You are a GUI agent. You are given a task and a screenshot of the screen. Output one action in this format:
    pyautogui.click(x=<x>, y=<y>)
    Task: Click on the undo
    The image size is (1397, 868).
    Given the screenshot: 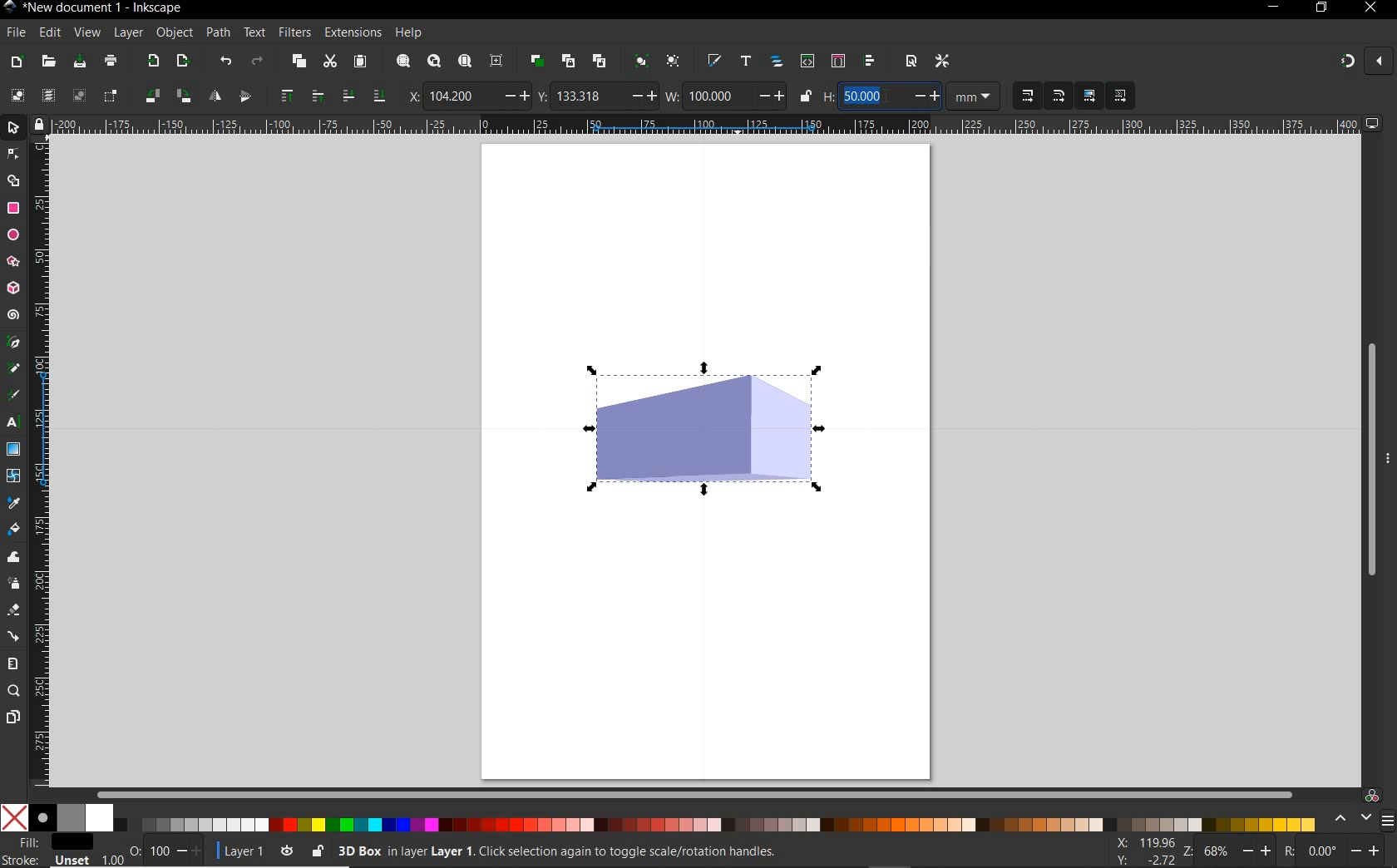 What is the action you would take?
    pyautogui.click(x=225, y=61)
    